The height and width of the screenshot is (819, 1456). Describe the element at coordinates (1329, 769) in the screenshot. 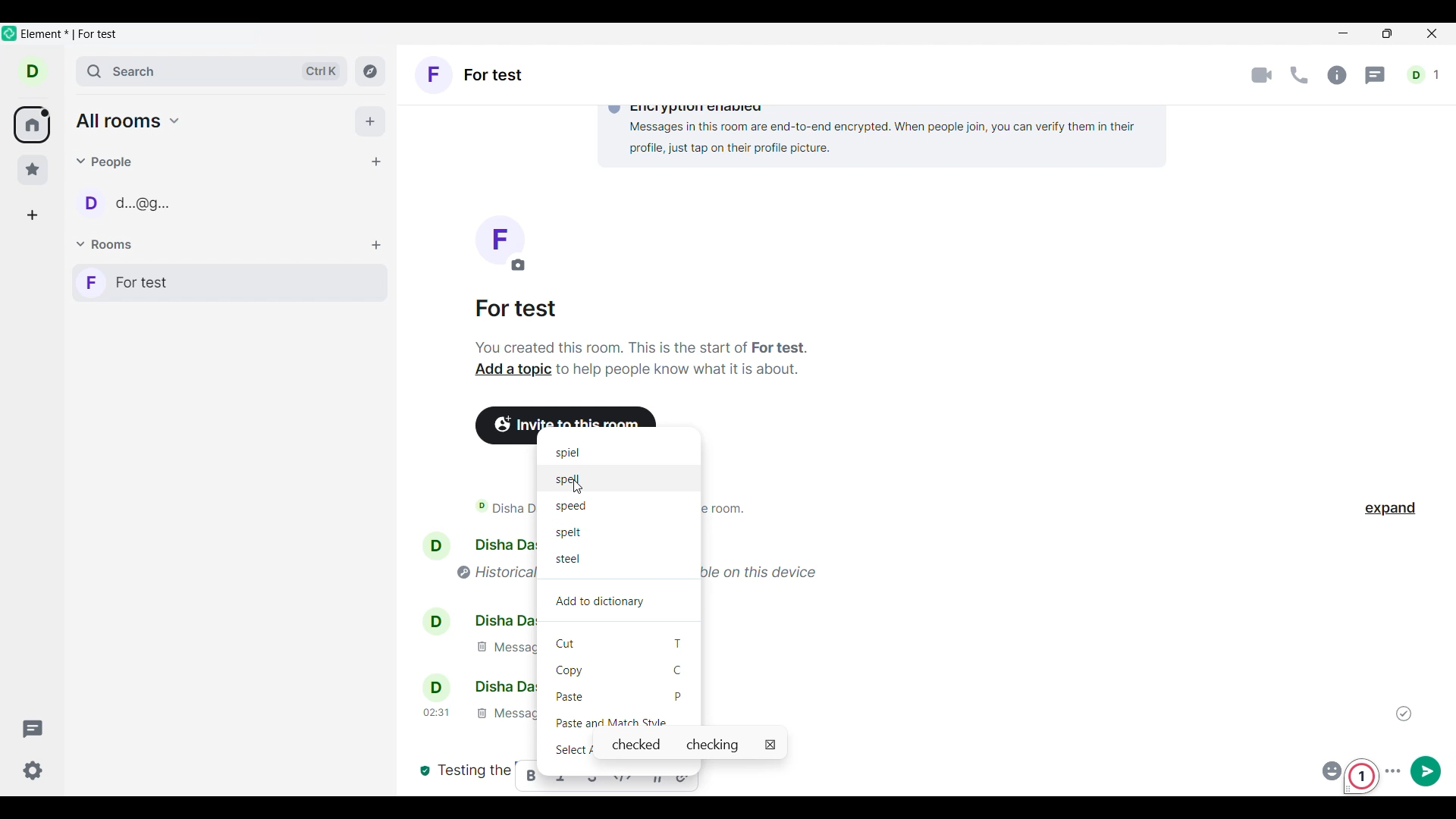

I see `Add emoji` at that location.